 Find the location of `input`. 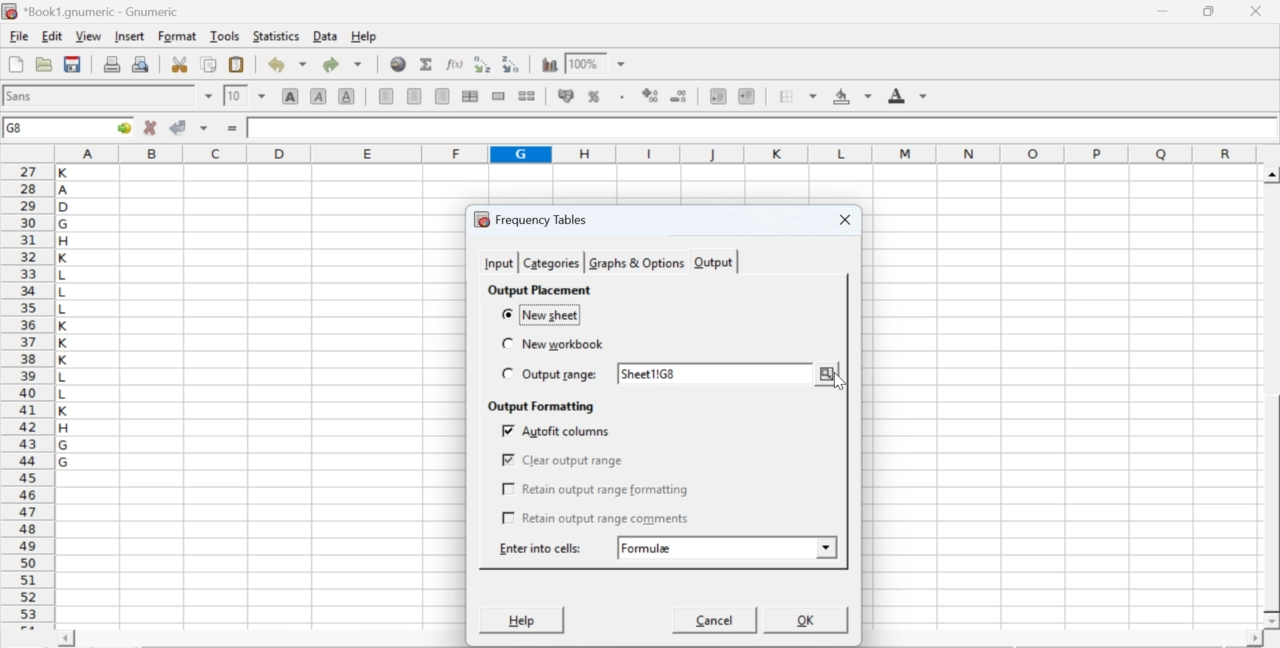

input is located at coordinates (498, 263).